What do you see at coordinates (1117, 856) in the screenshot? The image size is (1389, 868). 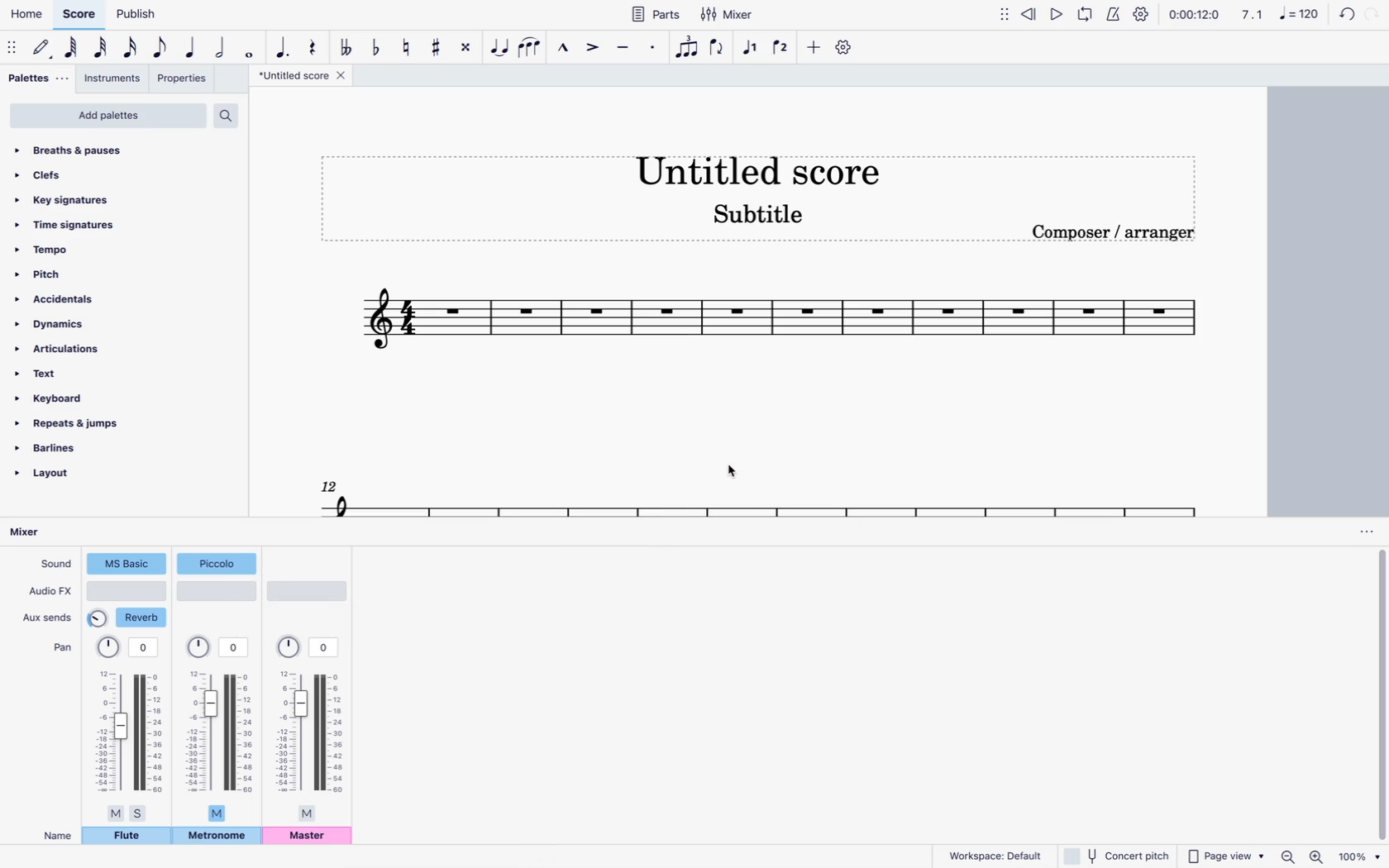 I see `concert pitch` at bounding box center [1117, 856].